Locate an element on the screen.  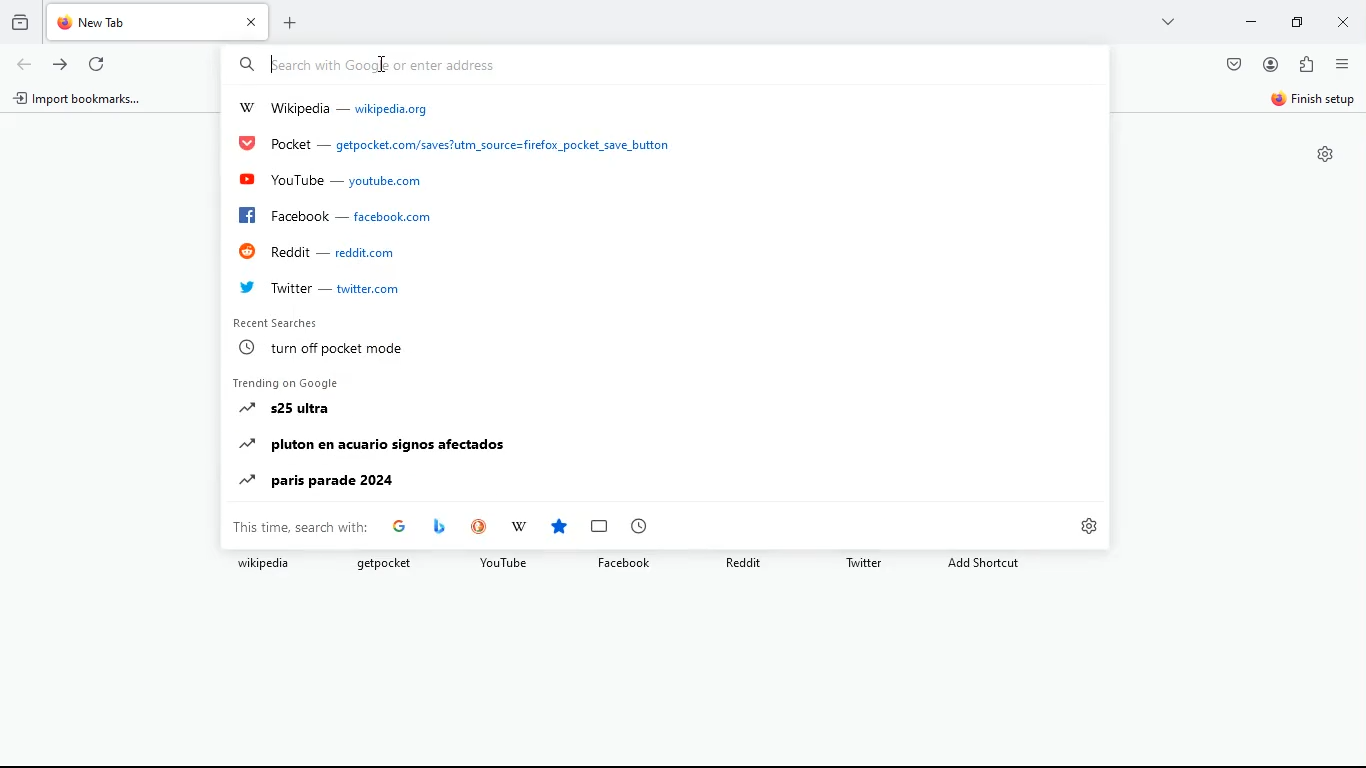
Search bar is located at coordinates (658, 65).